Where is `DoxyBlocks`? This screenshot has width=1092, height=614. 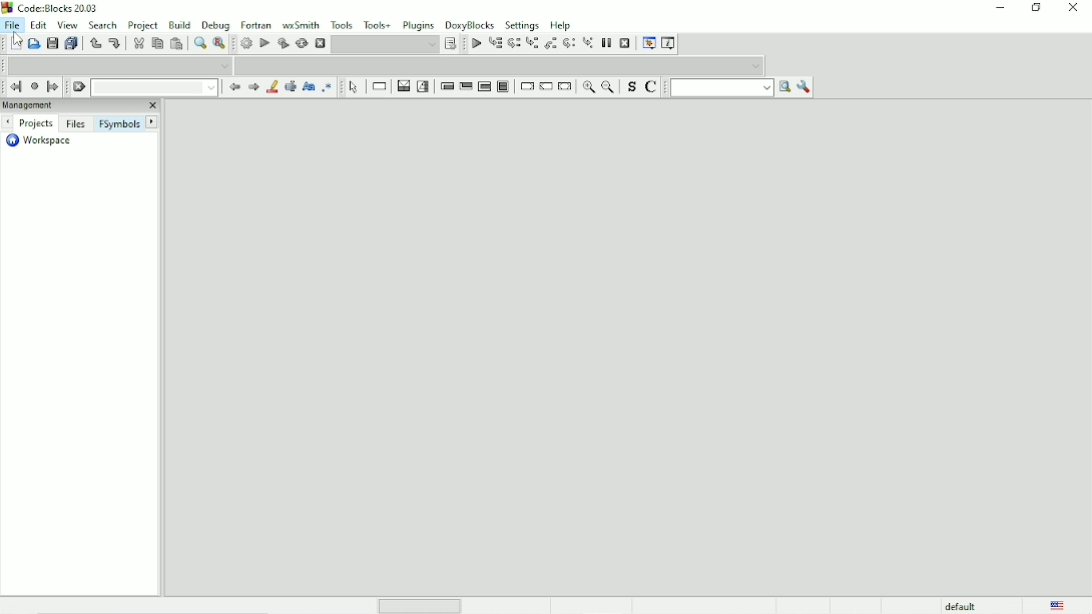
DoxyBlocks is located at coordinates (470, 24).